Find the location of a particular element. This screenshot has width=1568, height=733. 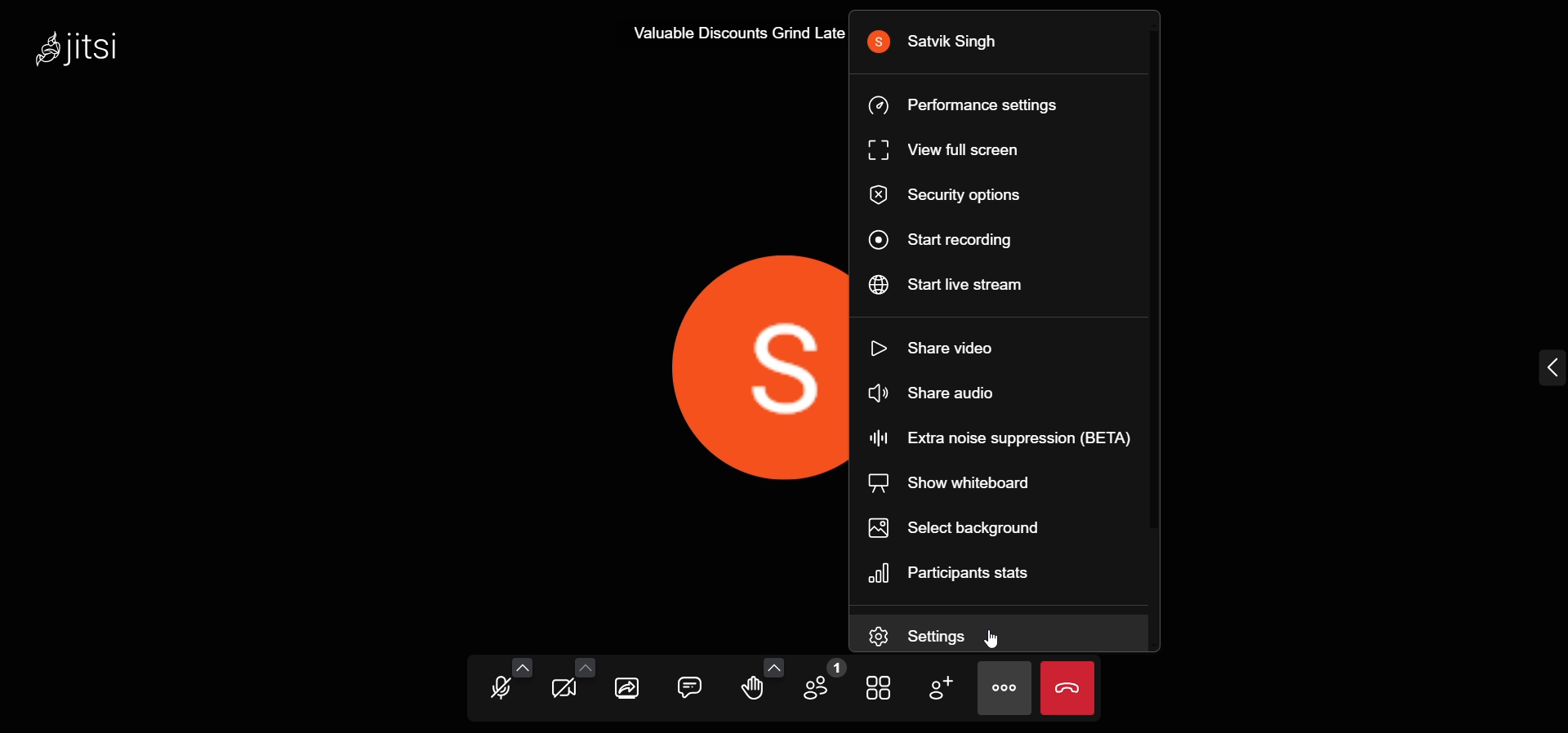

more is located at coordinates (1006, 688).